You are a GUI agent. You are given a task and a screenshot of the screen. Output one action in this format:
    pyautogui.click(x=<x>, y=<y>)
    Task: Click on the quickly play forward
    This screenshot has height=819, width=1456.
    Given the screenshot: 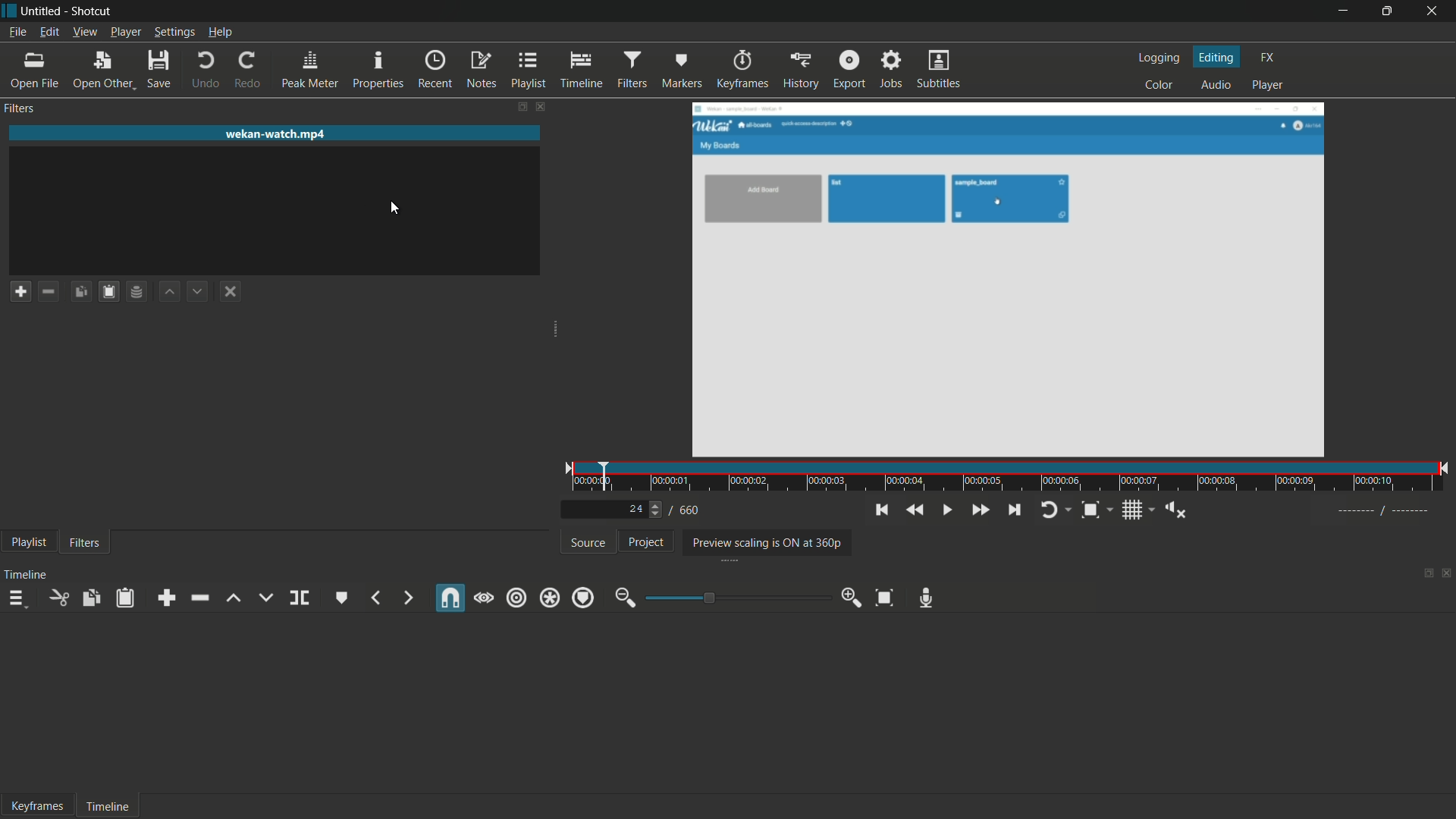 What is the action you would take?
    pyautogui.click(x=980, y=510)
    